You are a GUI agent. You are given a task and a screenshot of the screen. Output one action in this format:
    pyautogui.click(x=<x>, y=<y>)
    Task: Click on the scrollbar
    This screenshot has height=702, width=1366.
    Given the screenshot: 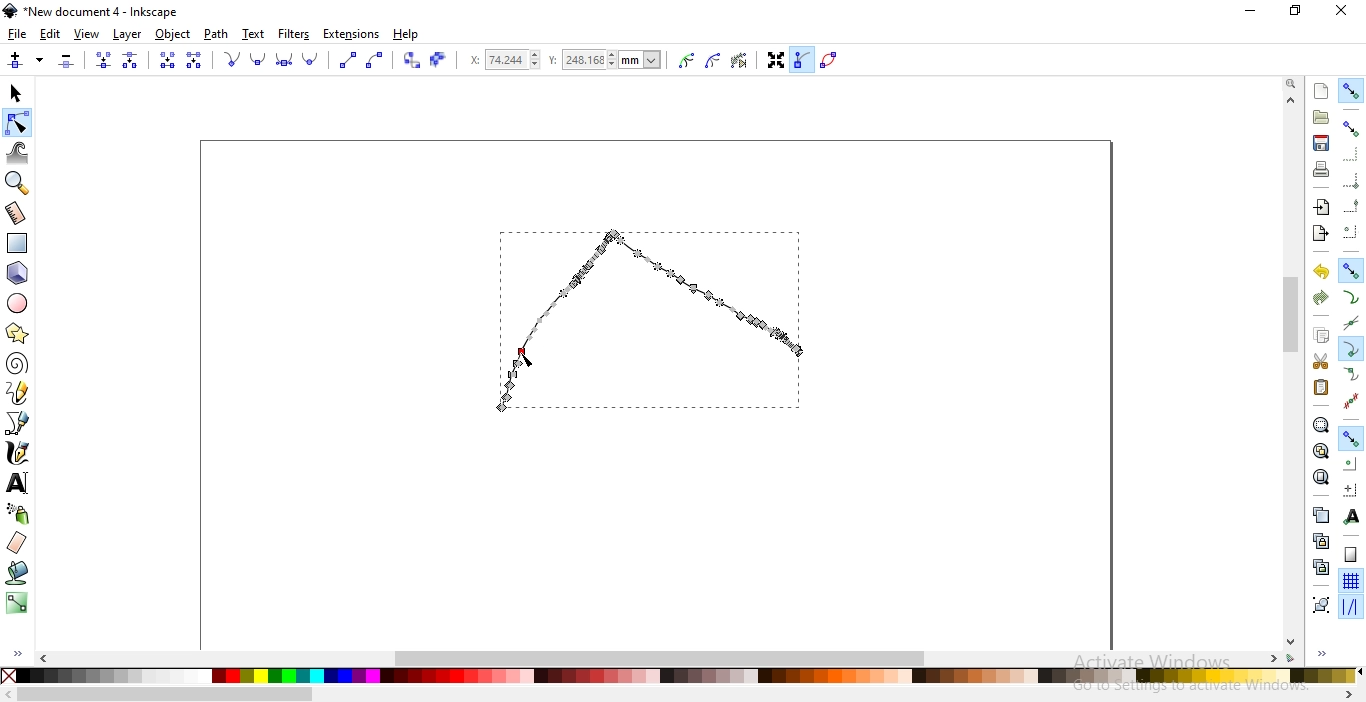 What is the action you would take?
    pyautogui.click(x=663, y=656)
    